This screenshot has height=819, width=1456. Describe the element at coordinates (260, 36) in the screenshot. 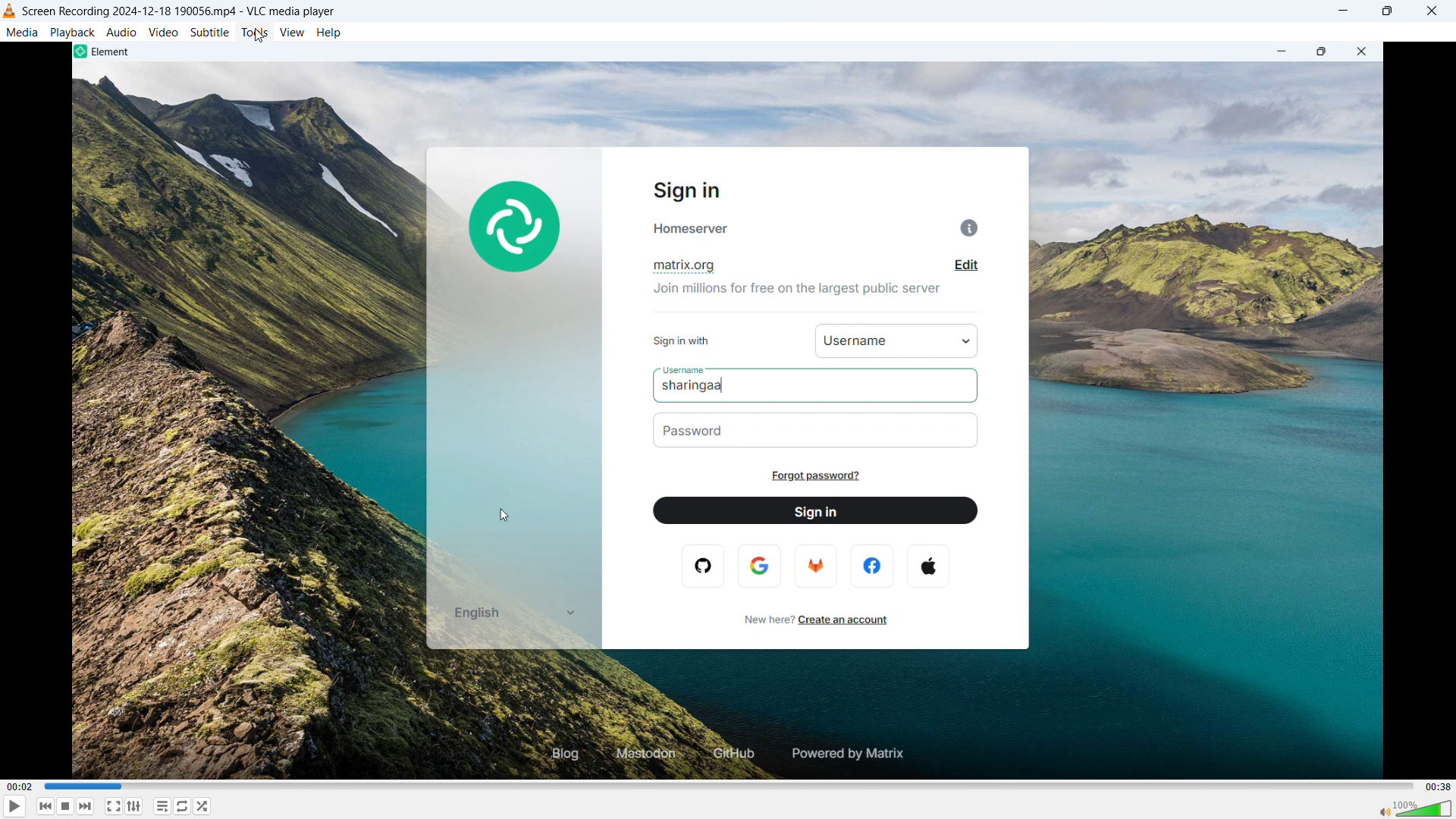

I see `cursor` at that location.